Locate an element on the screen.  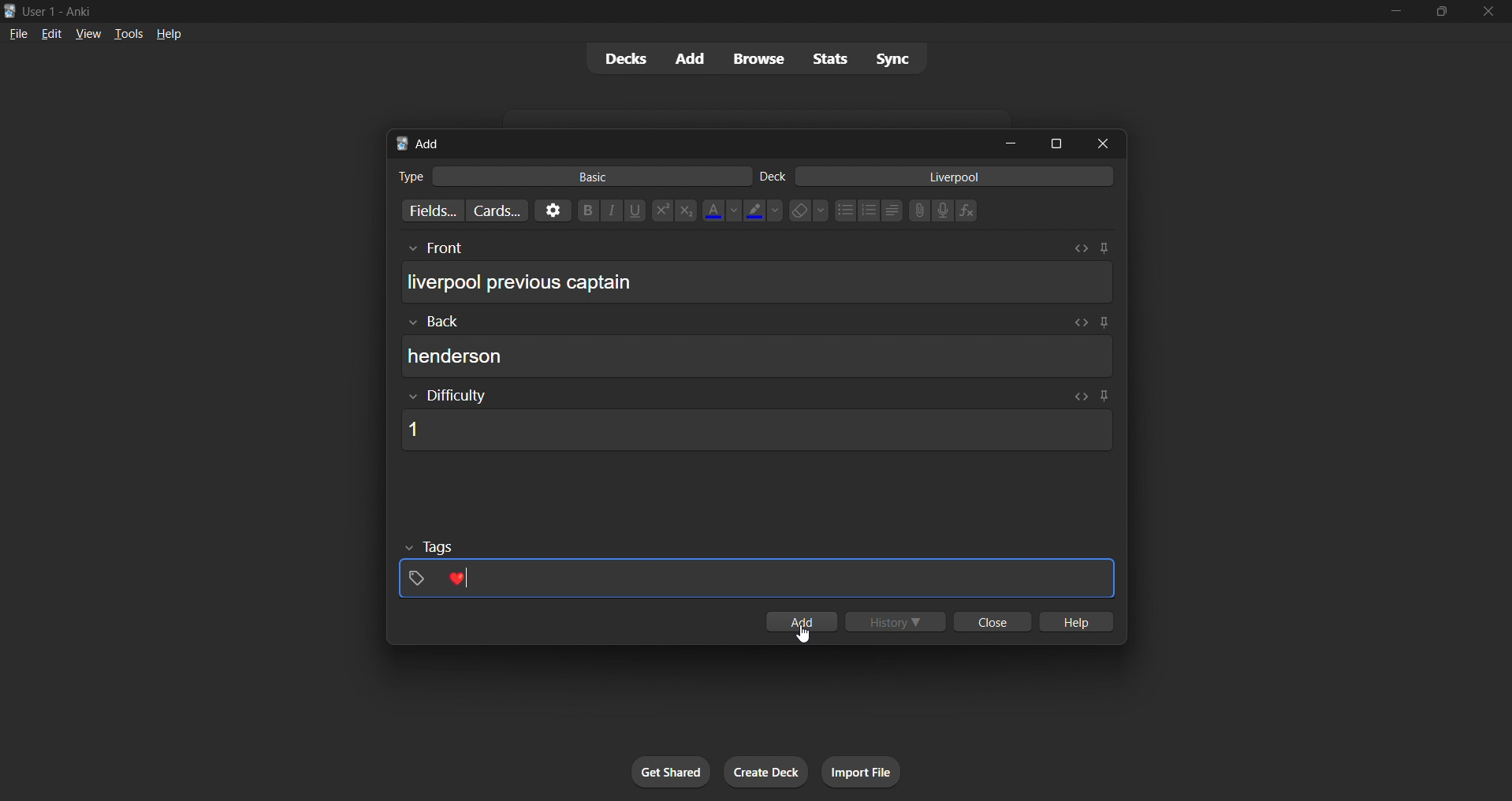
maximize/restore is located at coordinates (1442, 12).